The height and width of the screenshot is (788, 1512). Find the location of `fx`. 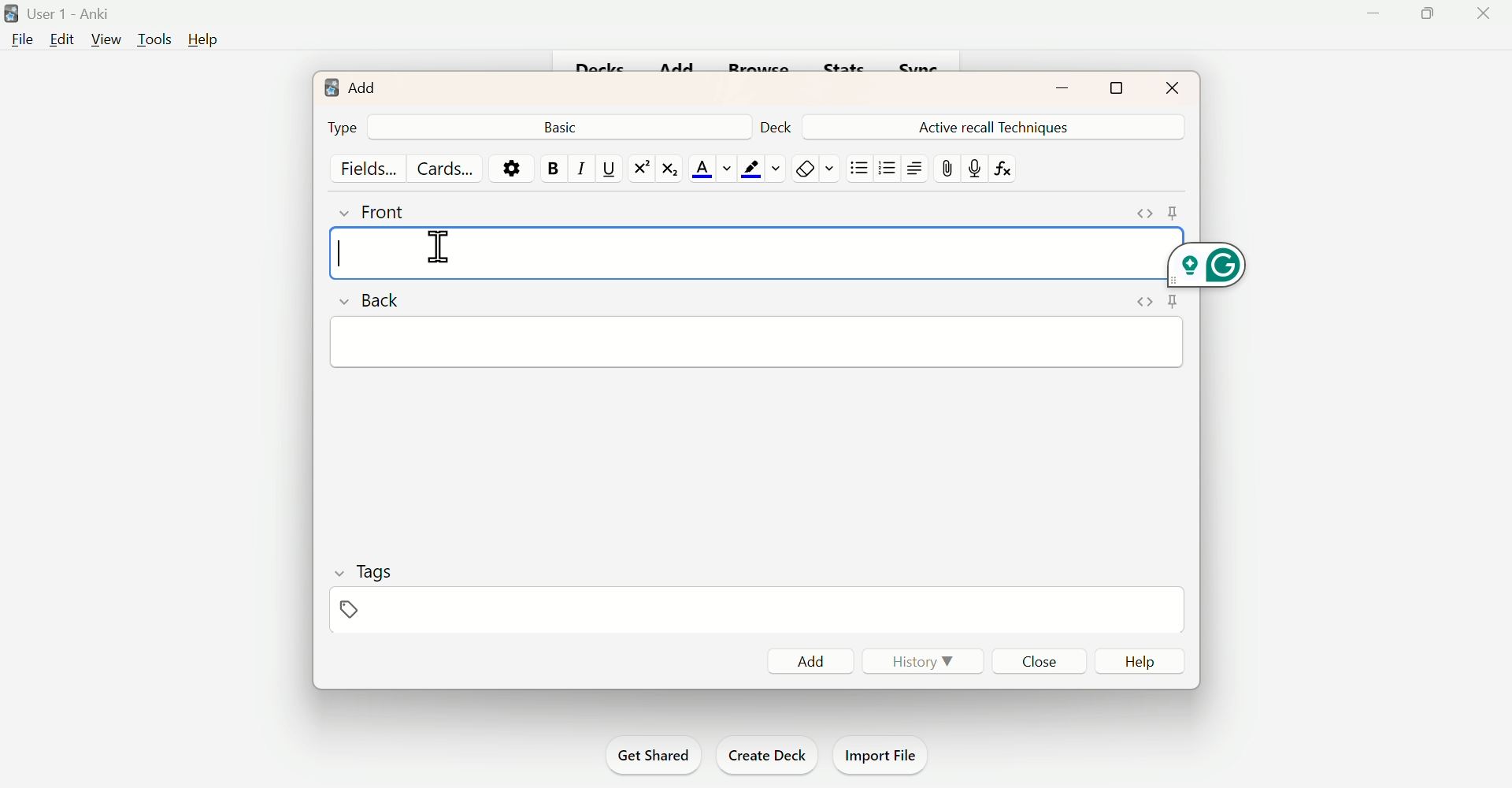

fx is located at coordinates (1014, 174).